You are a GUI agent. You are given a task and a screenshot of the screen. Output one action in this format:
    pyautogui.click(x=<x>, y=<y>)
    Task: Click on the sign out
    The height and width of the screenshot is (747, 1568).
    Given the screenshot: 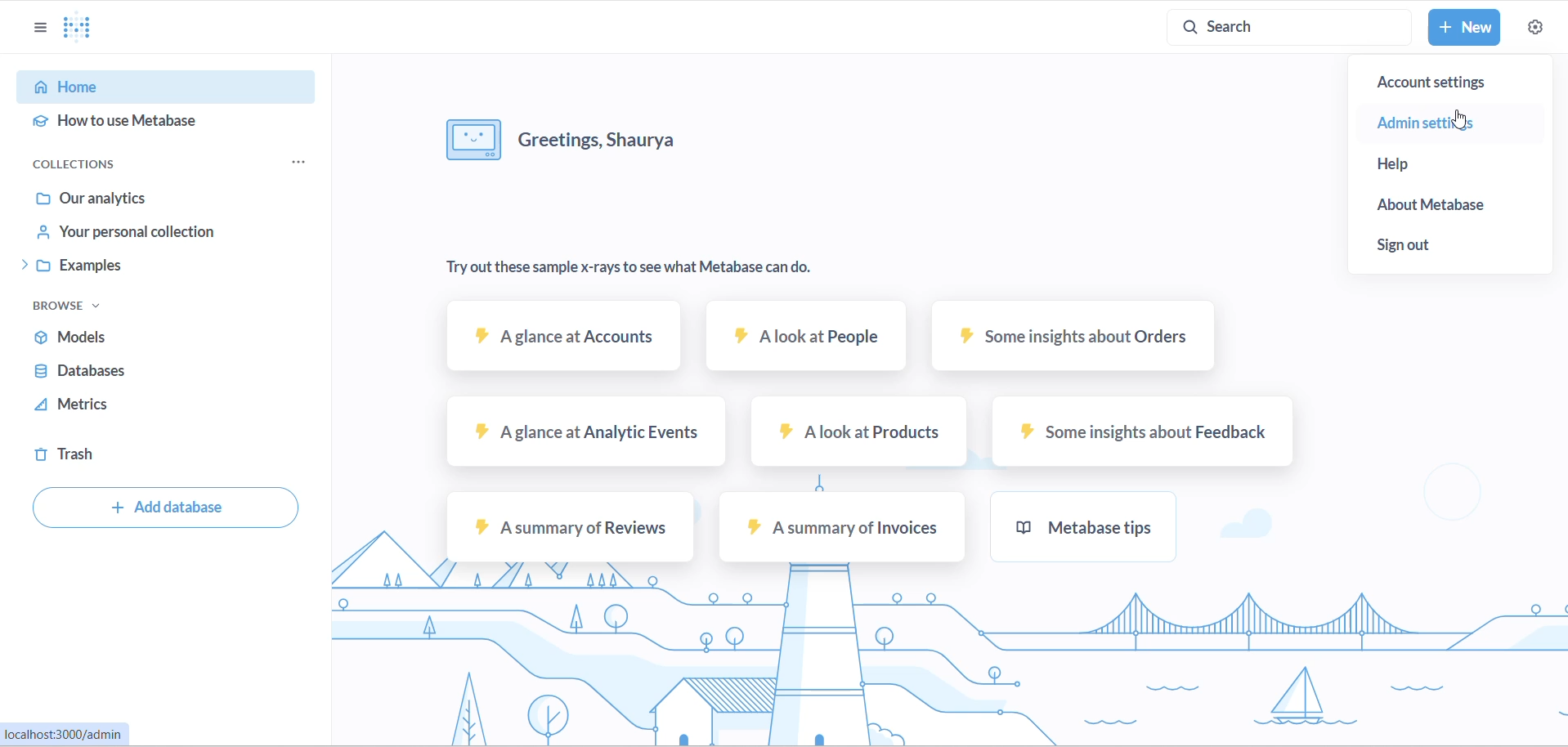 What is the action you would take?
    pyautogui.click(x=1434, y=244)
    